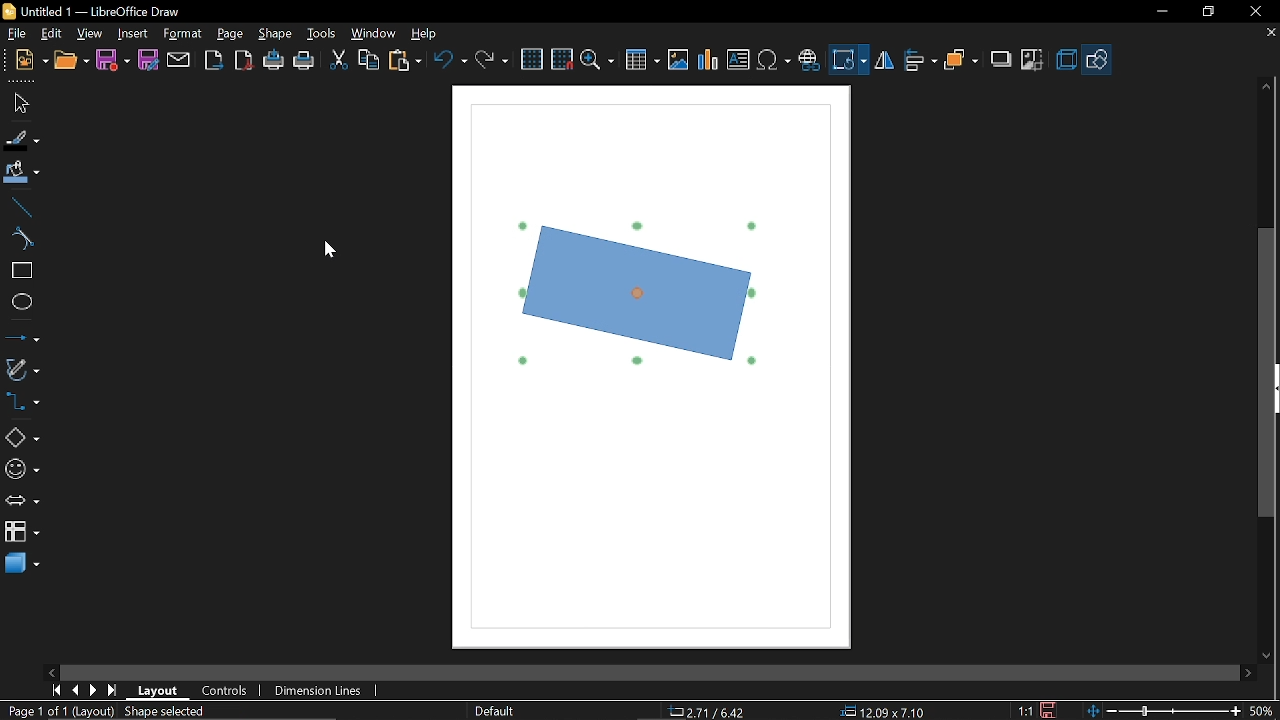  Describe the element at coordinates (91, 10) in the screenshot. I see `Untitled 1 - LibreOffice Draw` at that location.